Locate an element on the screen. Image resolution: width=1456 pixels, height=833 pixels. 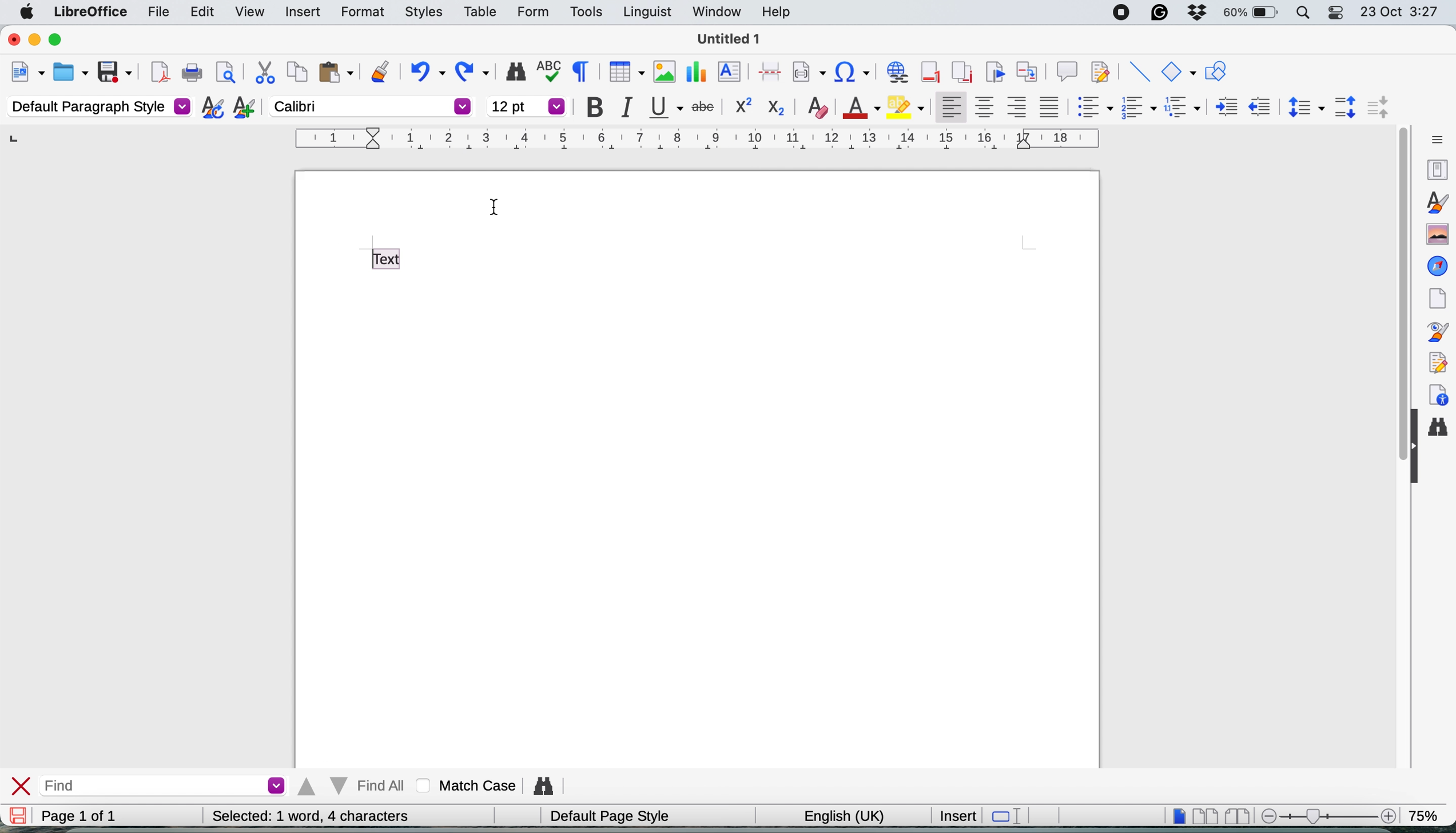
changed text font is located at coordinates (371, 107).